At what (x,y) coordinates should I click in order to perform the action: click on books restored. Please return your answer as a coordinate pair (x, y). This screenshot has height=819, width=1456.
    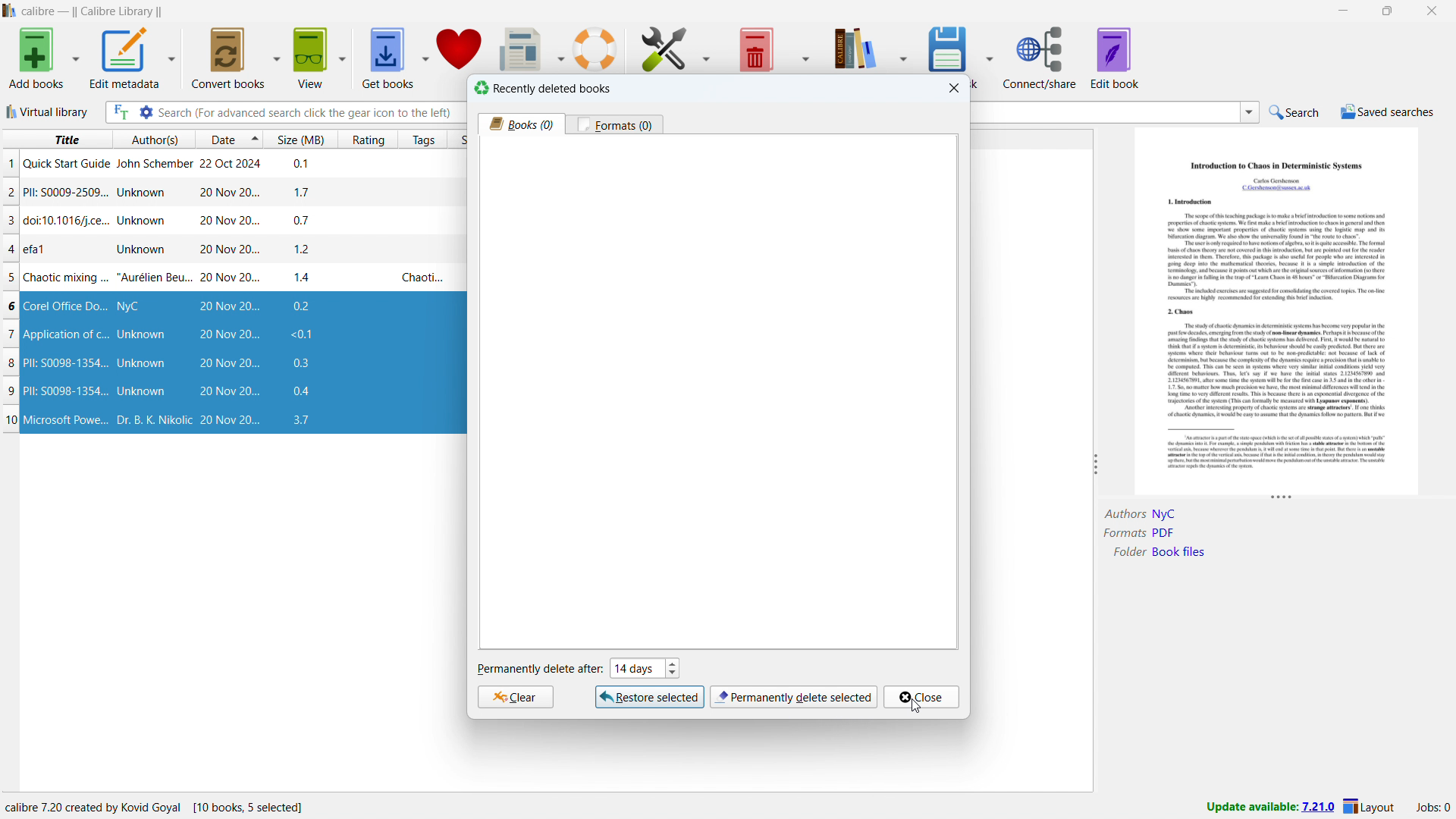
    Looking at the image, I should click on (234, 364).